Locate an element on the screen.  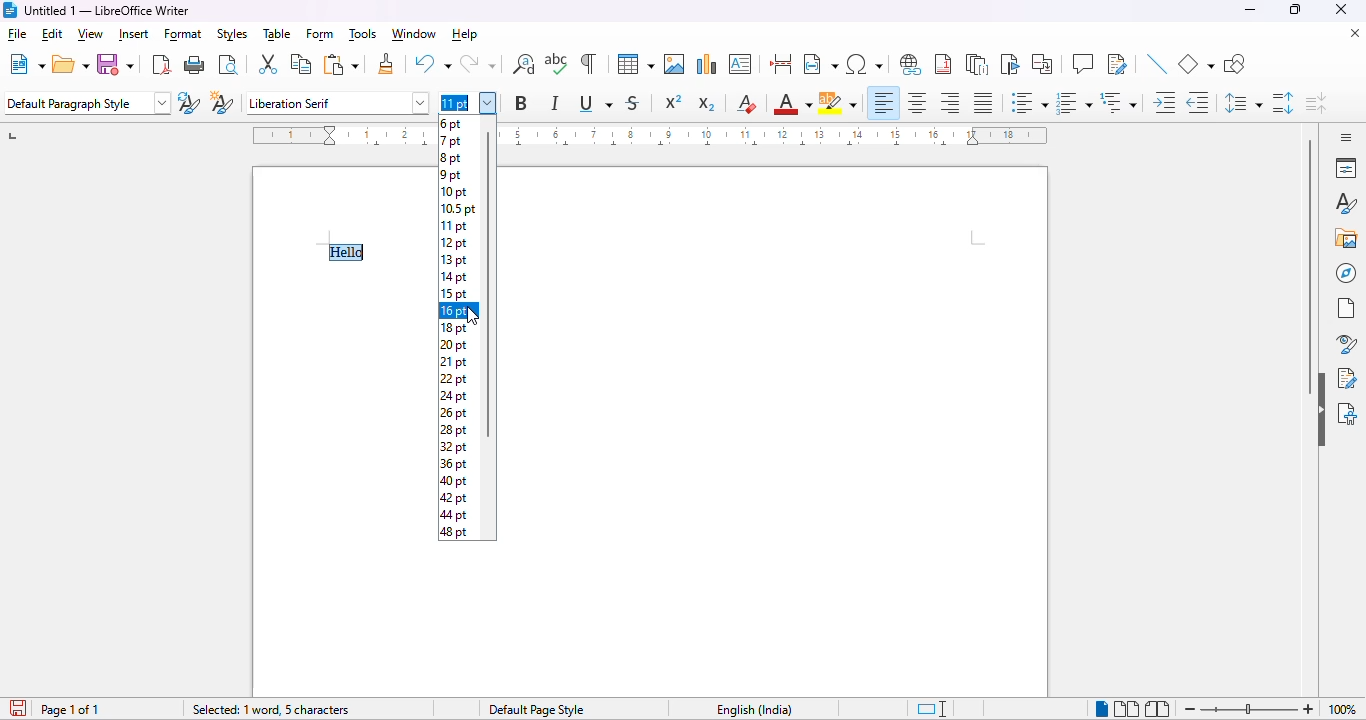
15 pt is located at coordinates (452, 295).